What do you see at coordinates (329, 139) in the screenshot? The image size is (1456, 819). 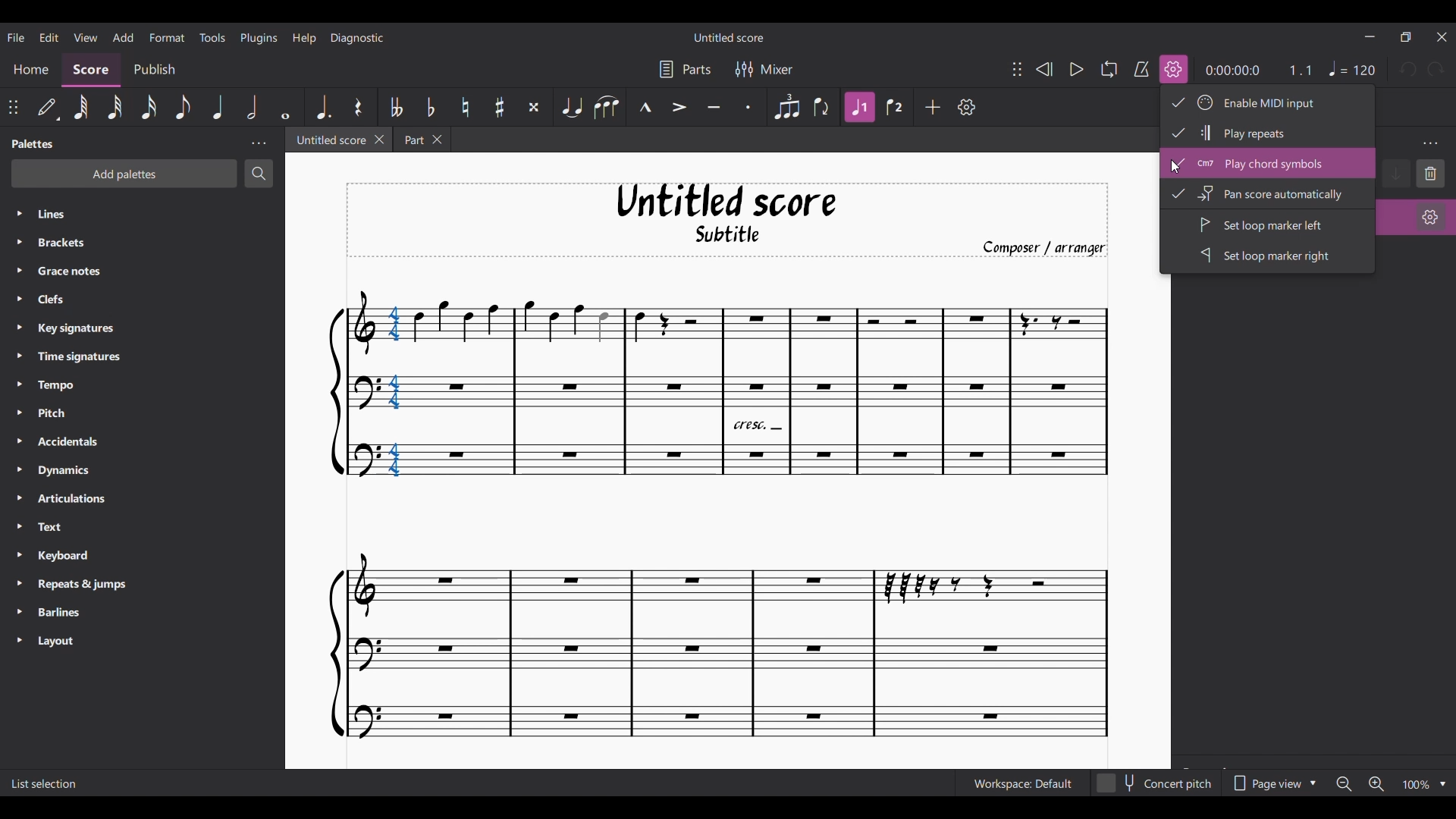 I see `Current tab` at bounding box center [329, 139].